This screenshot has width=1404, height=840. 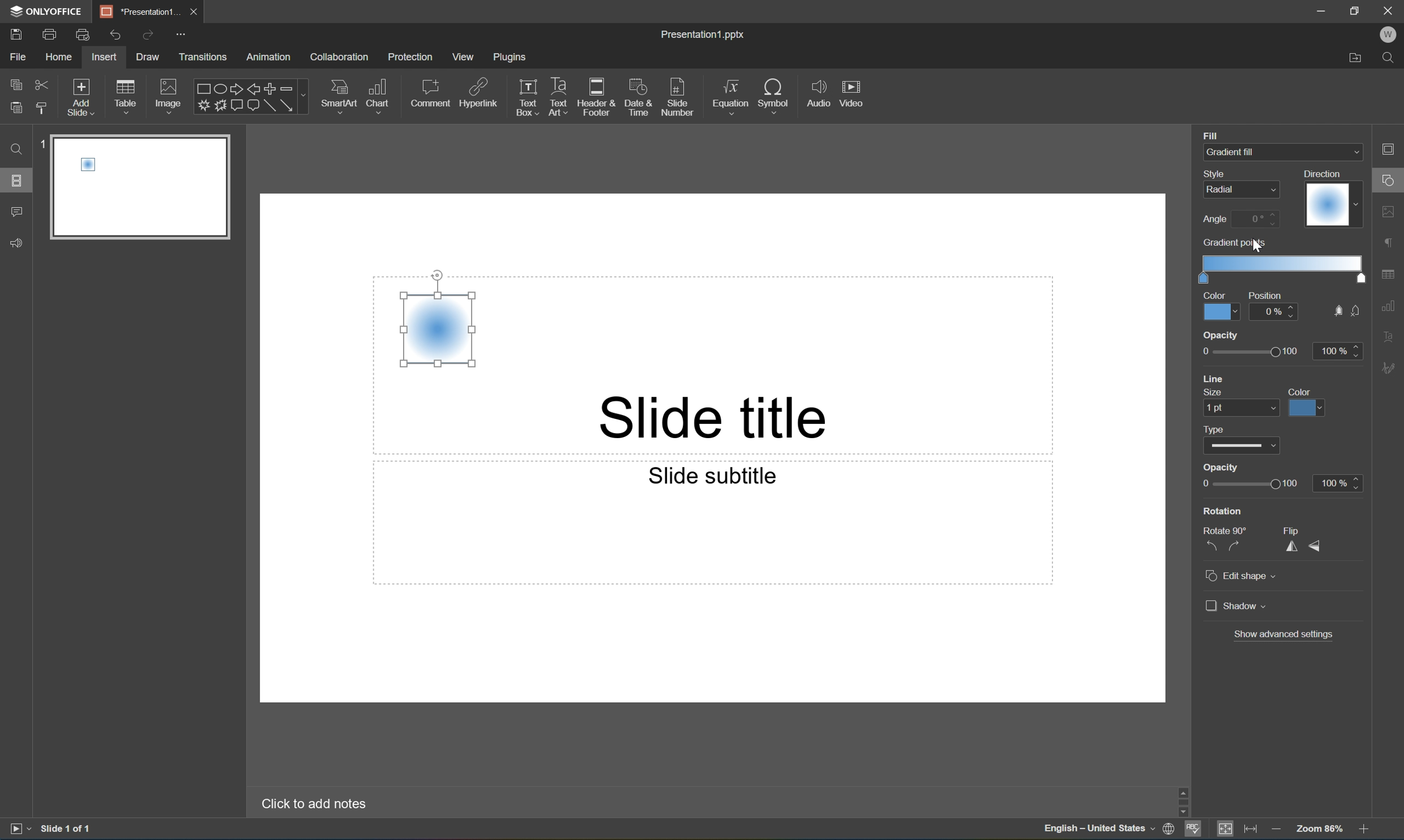 I want to click on , so click(x=1336, y=310).